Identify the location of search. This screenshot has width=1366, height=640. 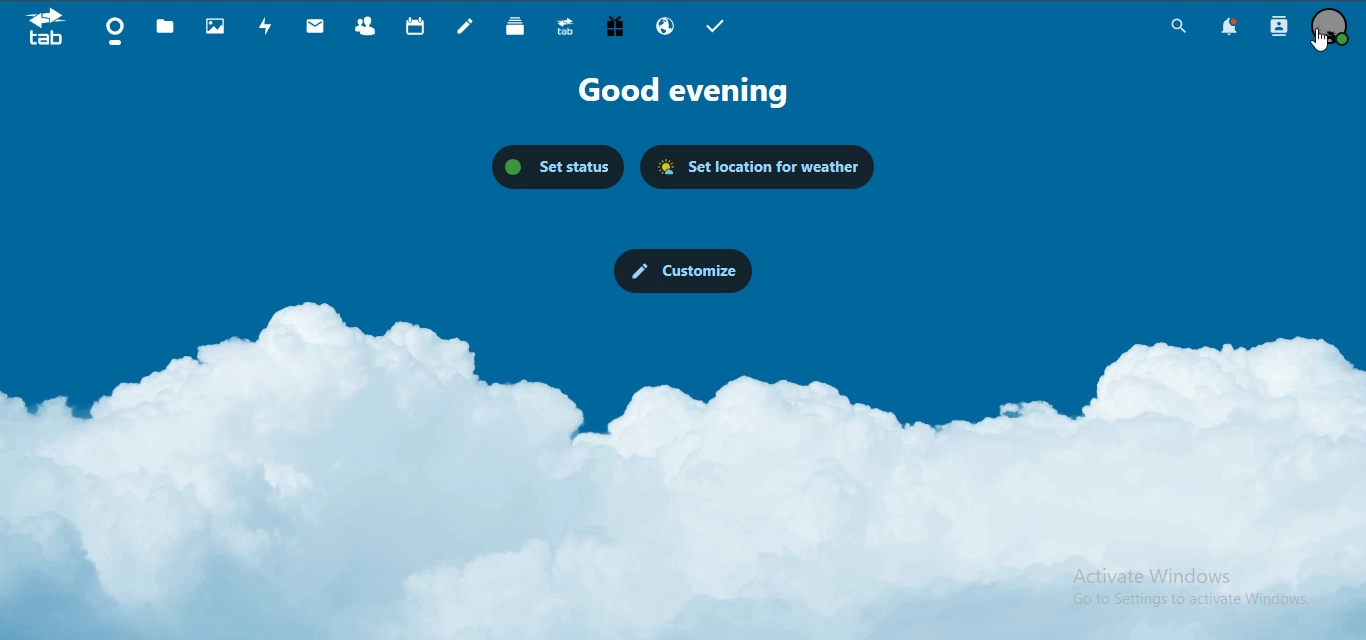
(1175, 29).